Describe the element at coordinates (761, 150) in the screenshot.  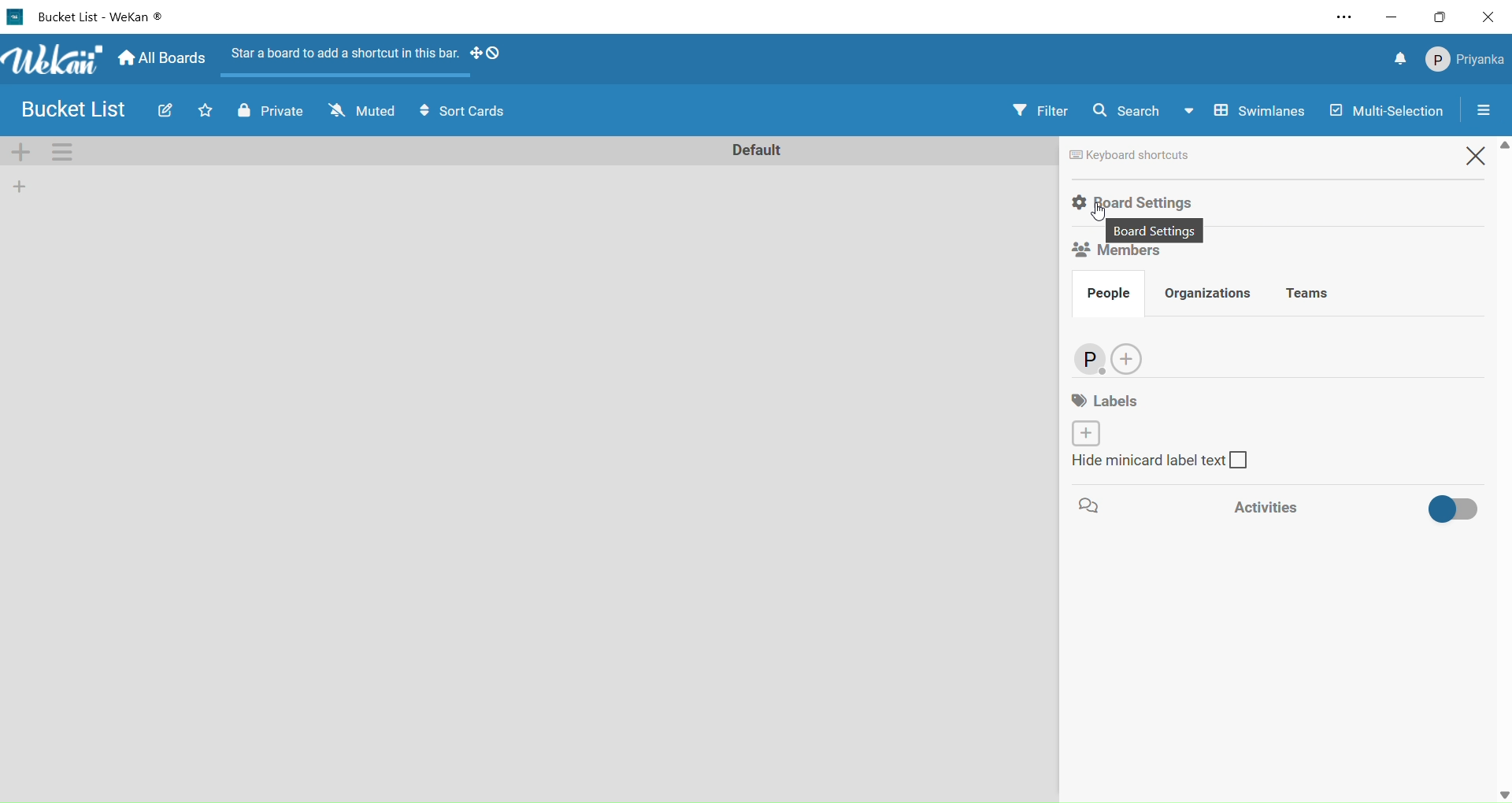
I see `rename` at that location.